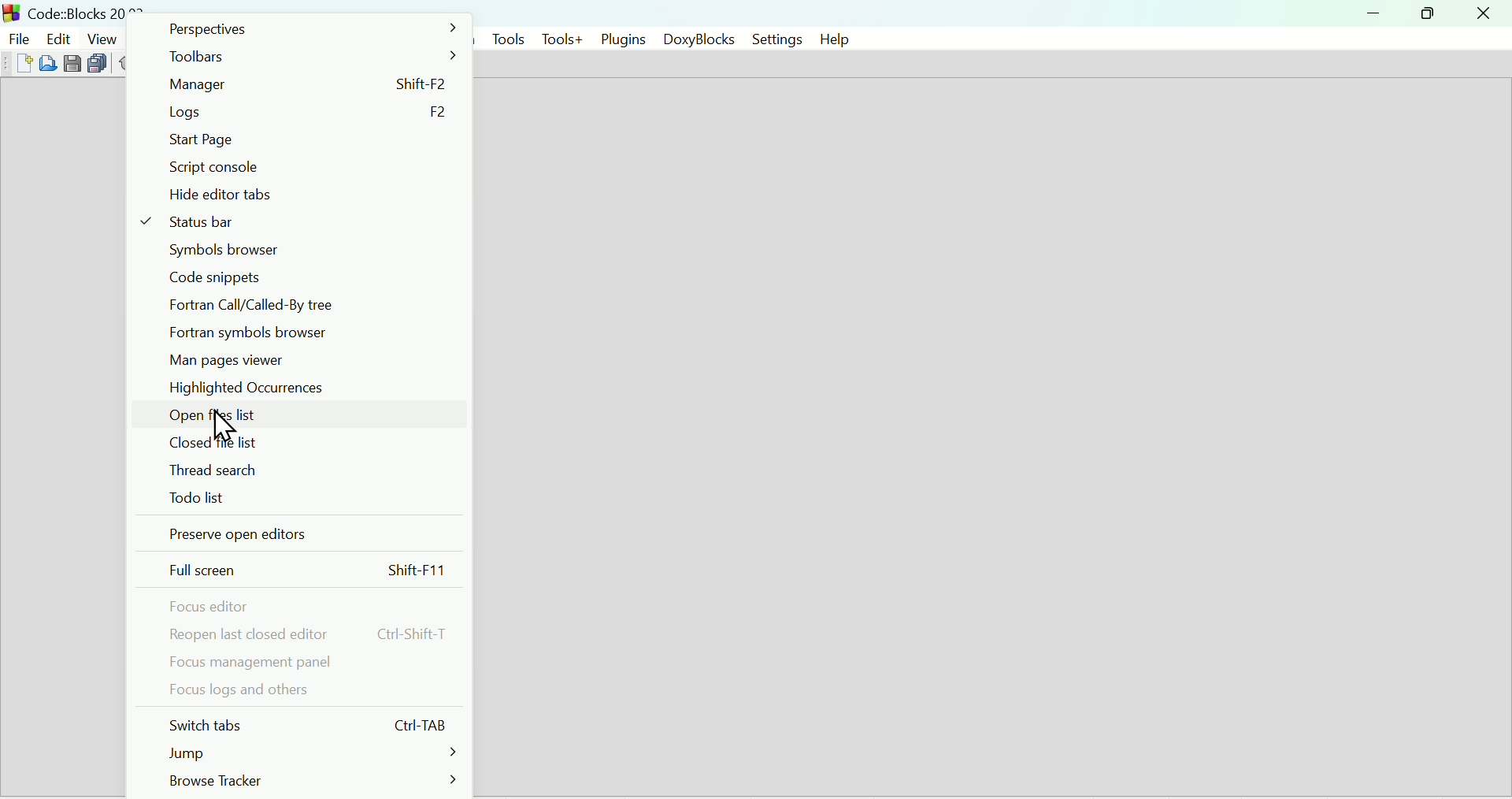  Describe the element at coordinates (307, 415) in the screenshot. I see `Open file list` at that location.